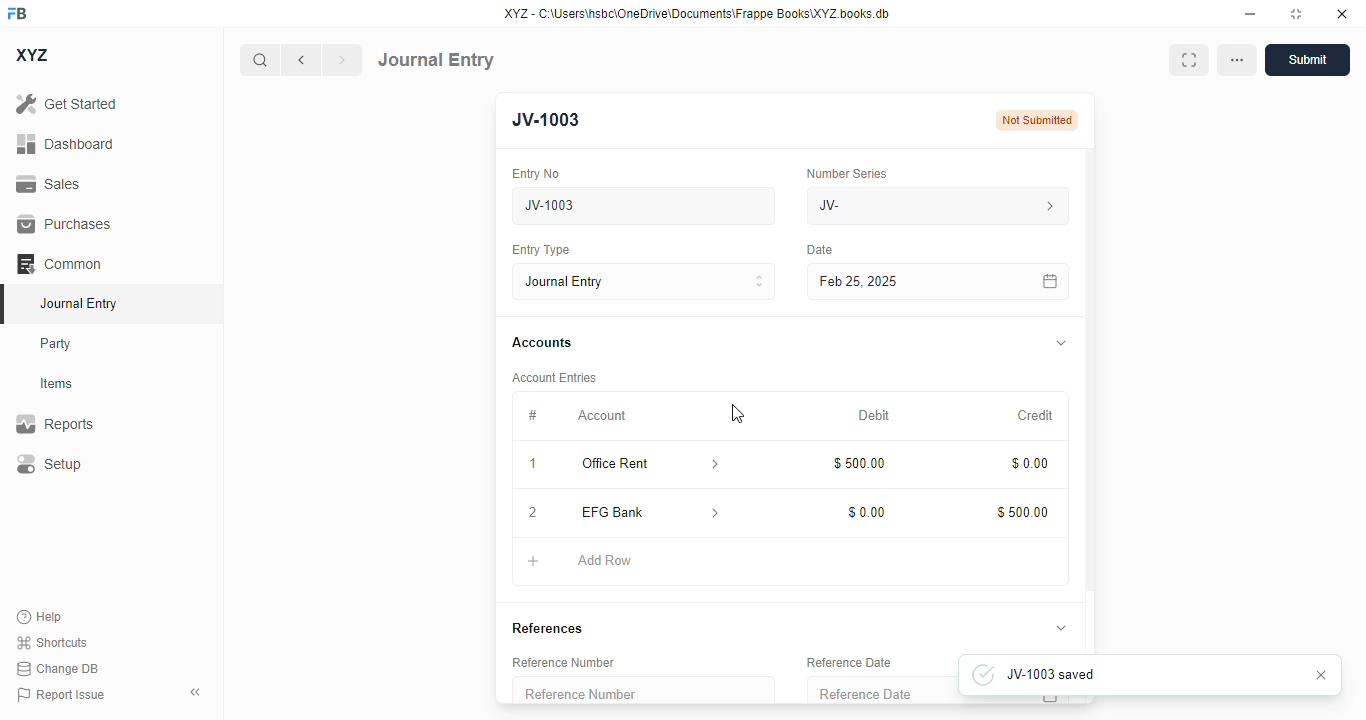 The image size is (1366, 720). Describe the element at coordinates (849, 663) in the screenshot. I see `reference data` at that location.